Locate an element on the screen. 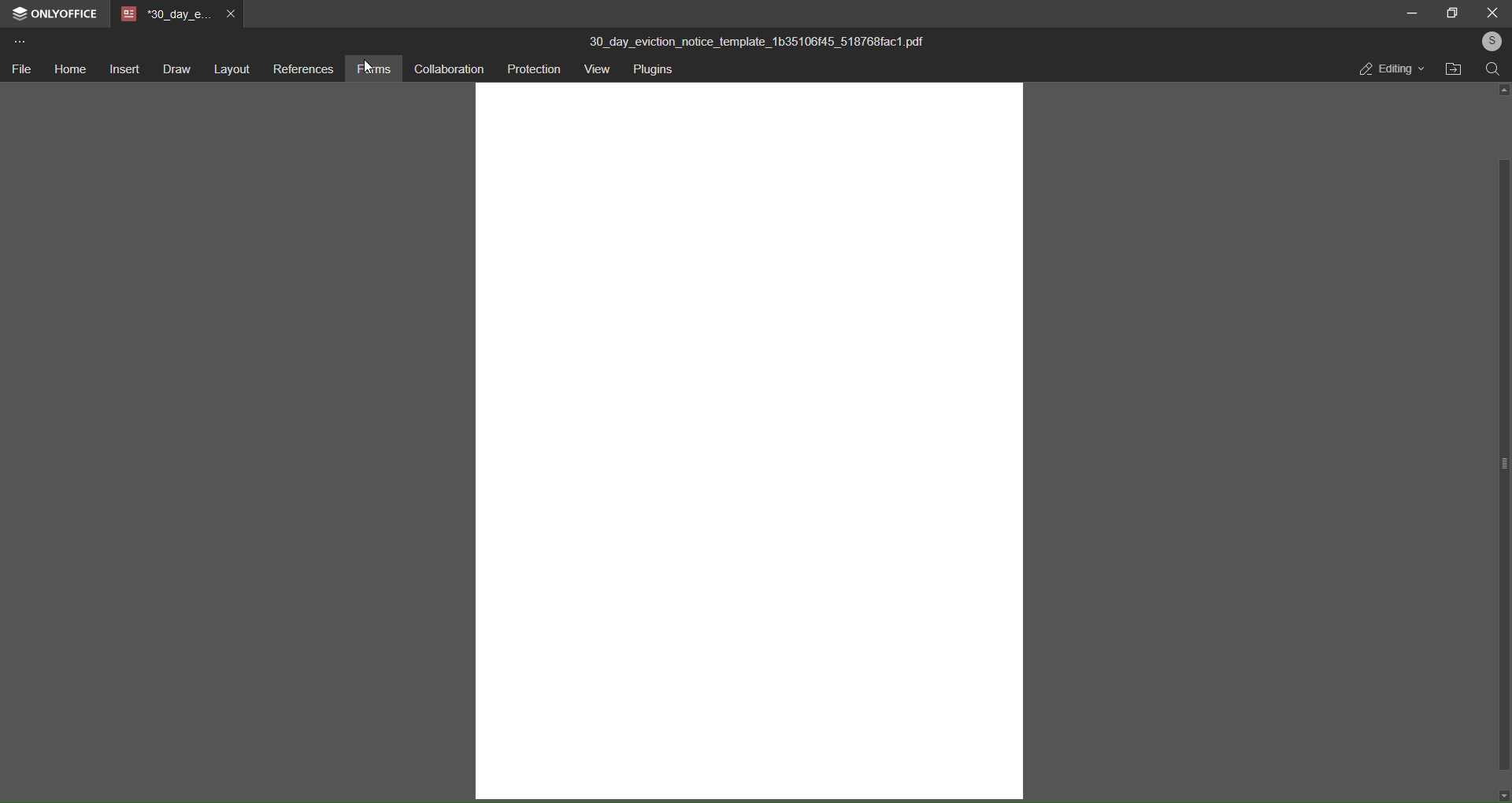  tab name is located at coordinates (164, 13).